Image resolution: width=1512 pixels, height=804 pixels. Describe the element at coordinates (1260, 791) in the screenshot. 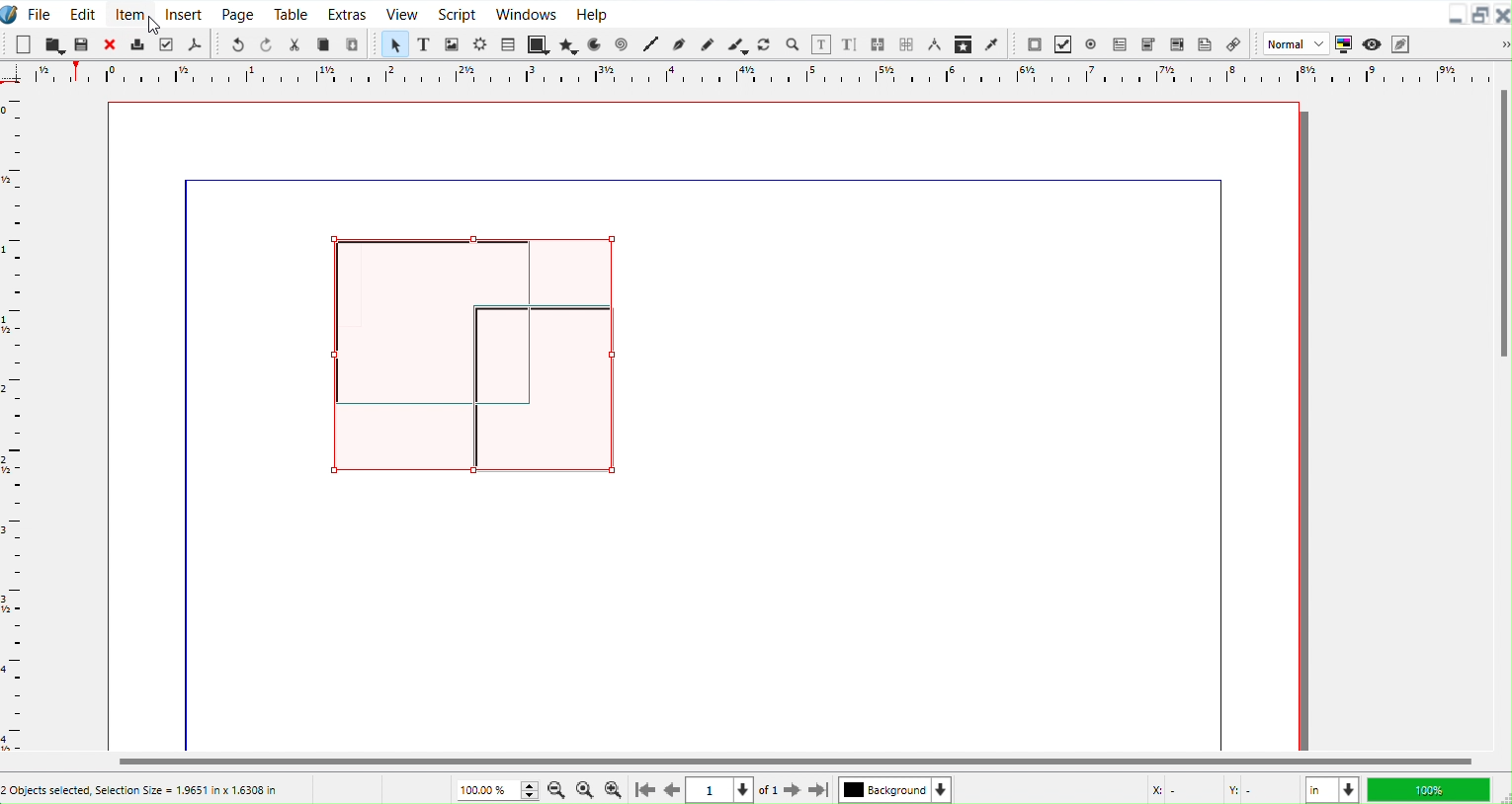

I see `Y Co-ordinate` at that location.